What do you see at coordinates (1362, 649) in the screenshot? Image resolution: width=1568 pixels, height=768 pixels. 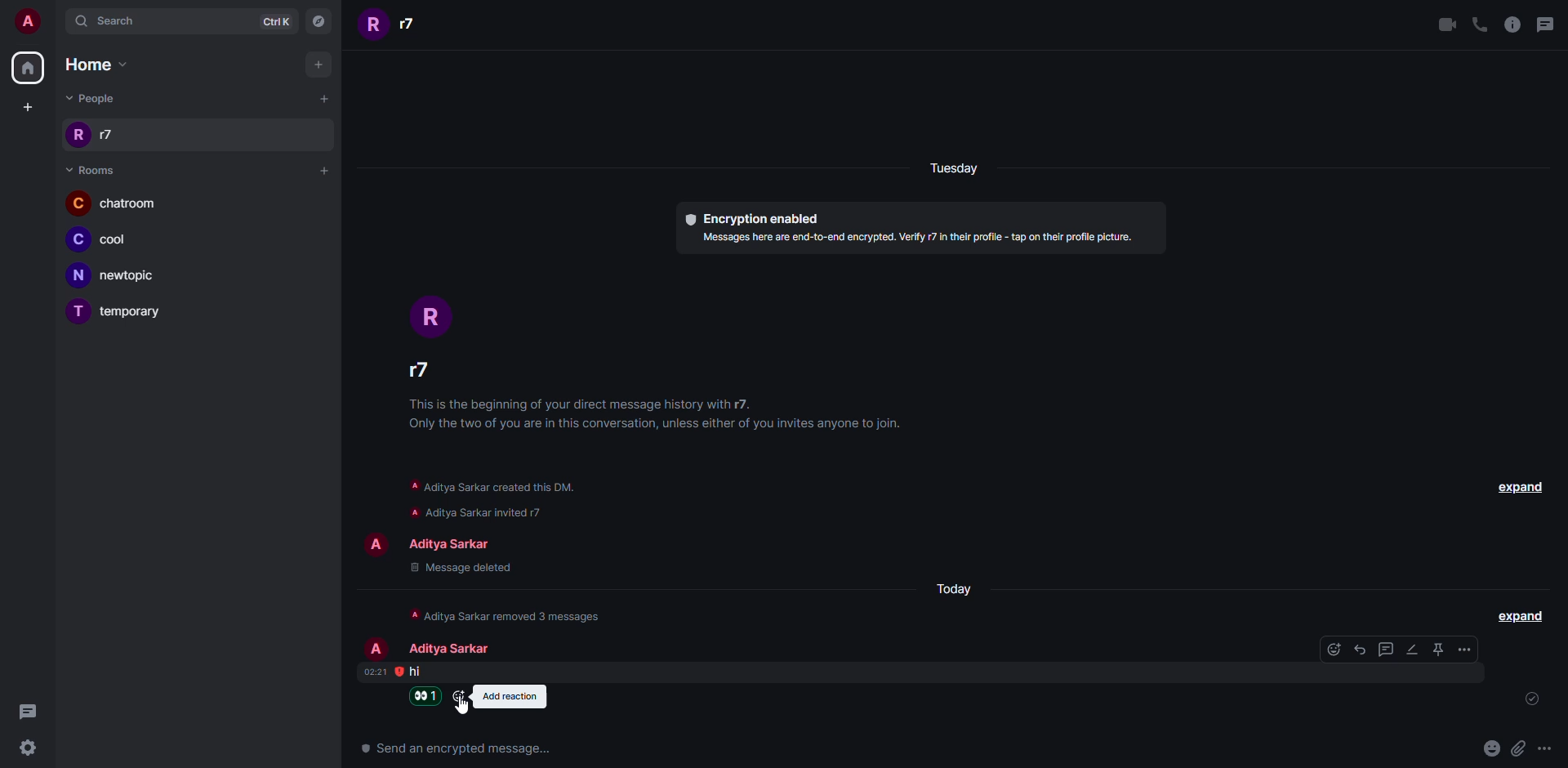 I see `reply` at bounding box center [1362, 649].